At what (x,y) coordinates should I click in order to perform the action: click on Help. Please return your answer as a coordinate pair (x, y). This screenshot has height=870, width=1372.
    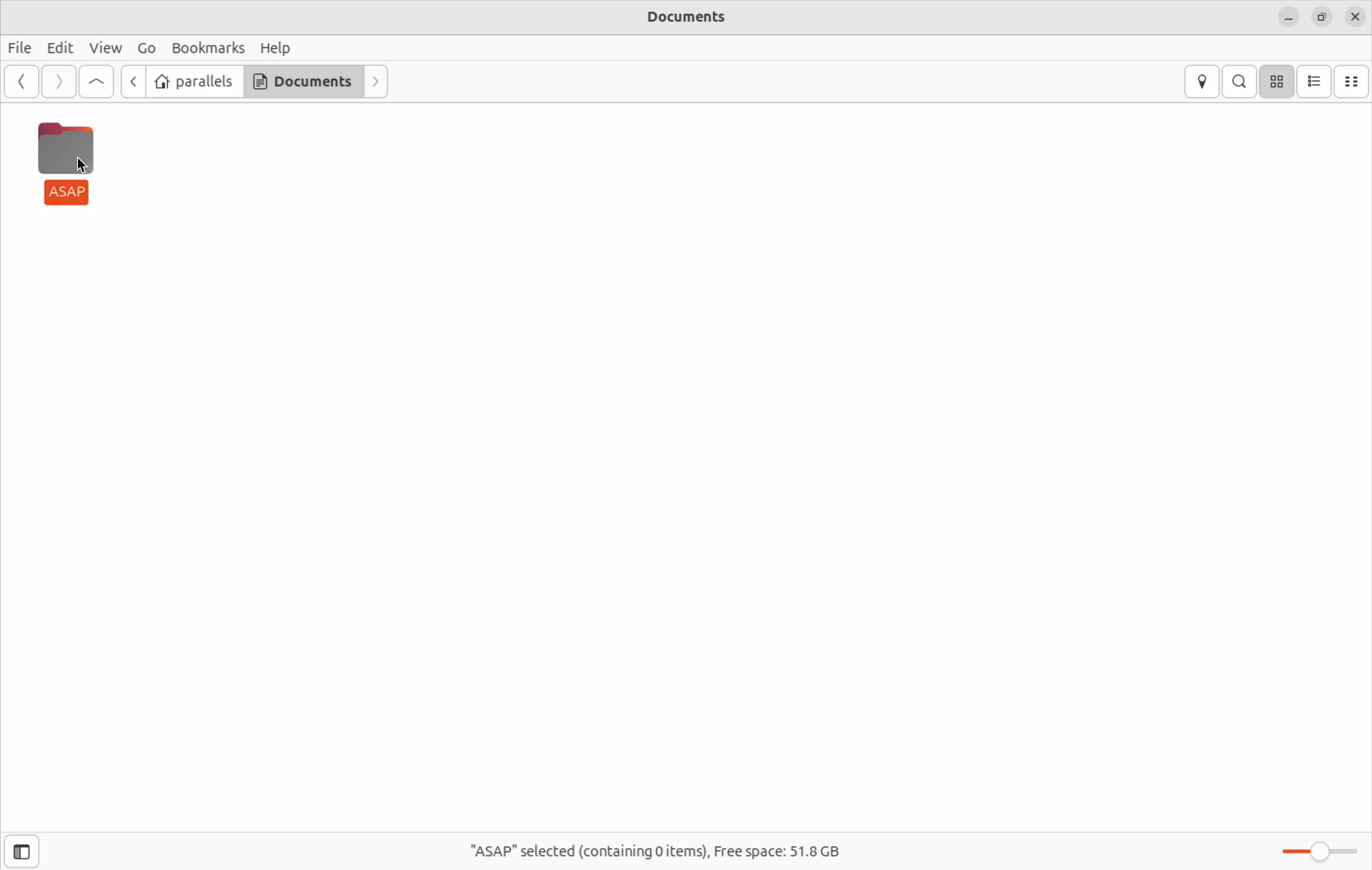
    Looking at the image, I should click on (281, 47).